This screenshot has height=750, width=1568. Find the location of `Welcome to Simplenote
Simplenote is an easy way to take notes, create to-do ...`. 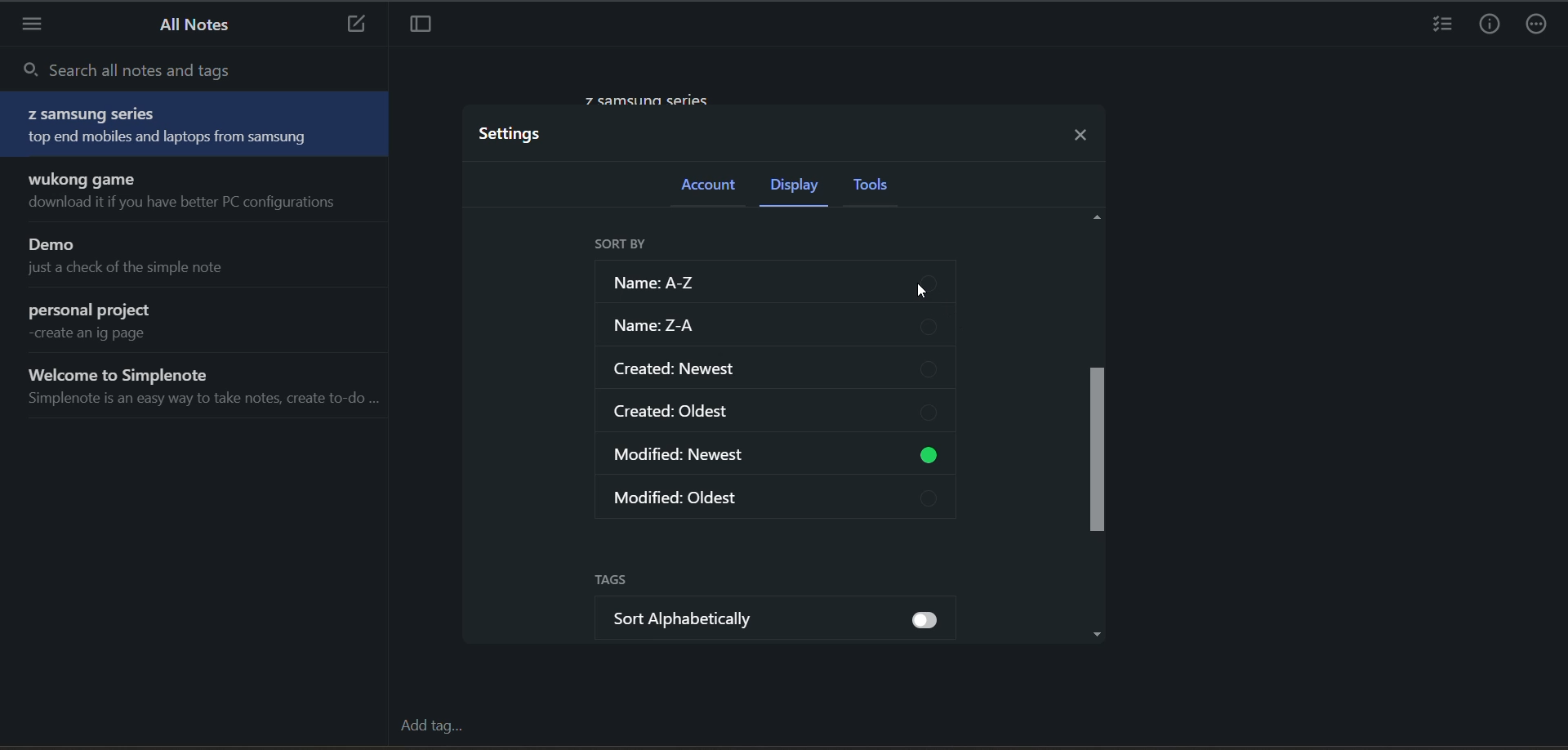

Welcome to Simplenote
Simplenote is an easy way to take notes, create to-do ... is located at coordinates (200, 390).